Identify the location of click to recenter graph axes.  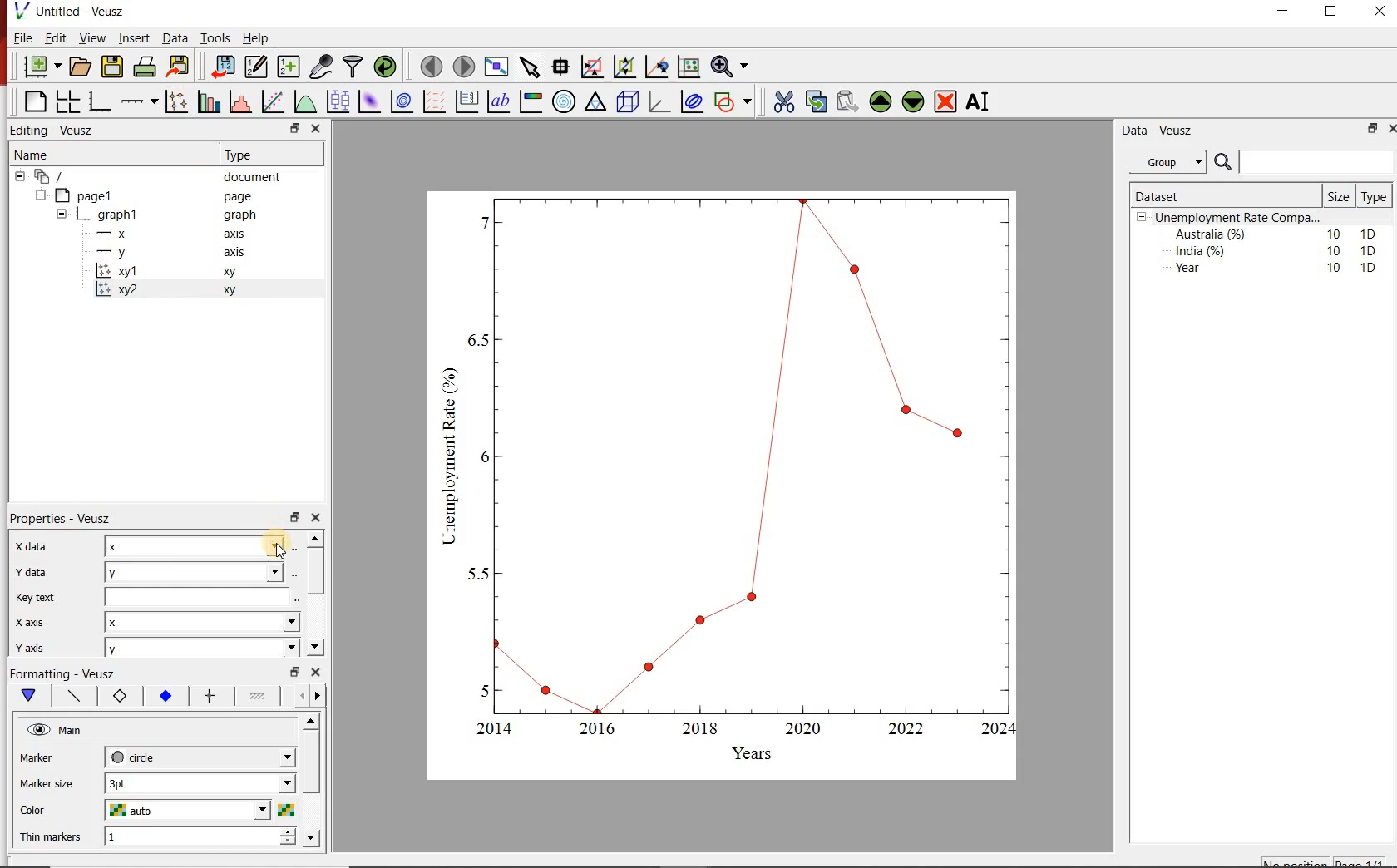
(658, 66).